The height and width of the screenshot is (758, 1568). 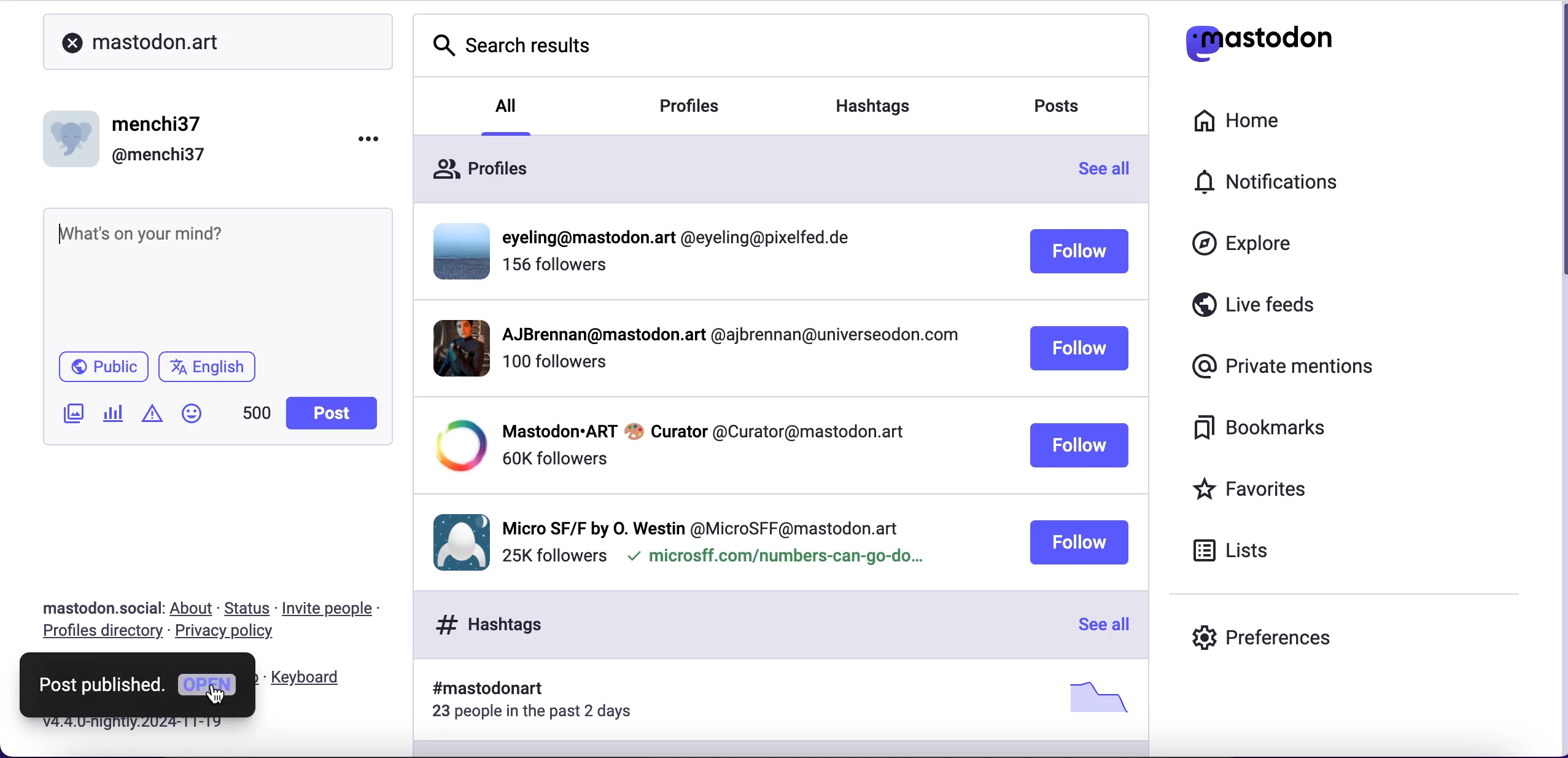 I want to click on user, so click(x=132, y=137).